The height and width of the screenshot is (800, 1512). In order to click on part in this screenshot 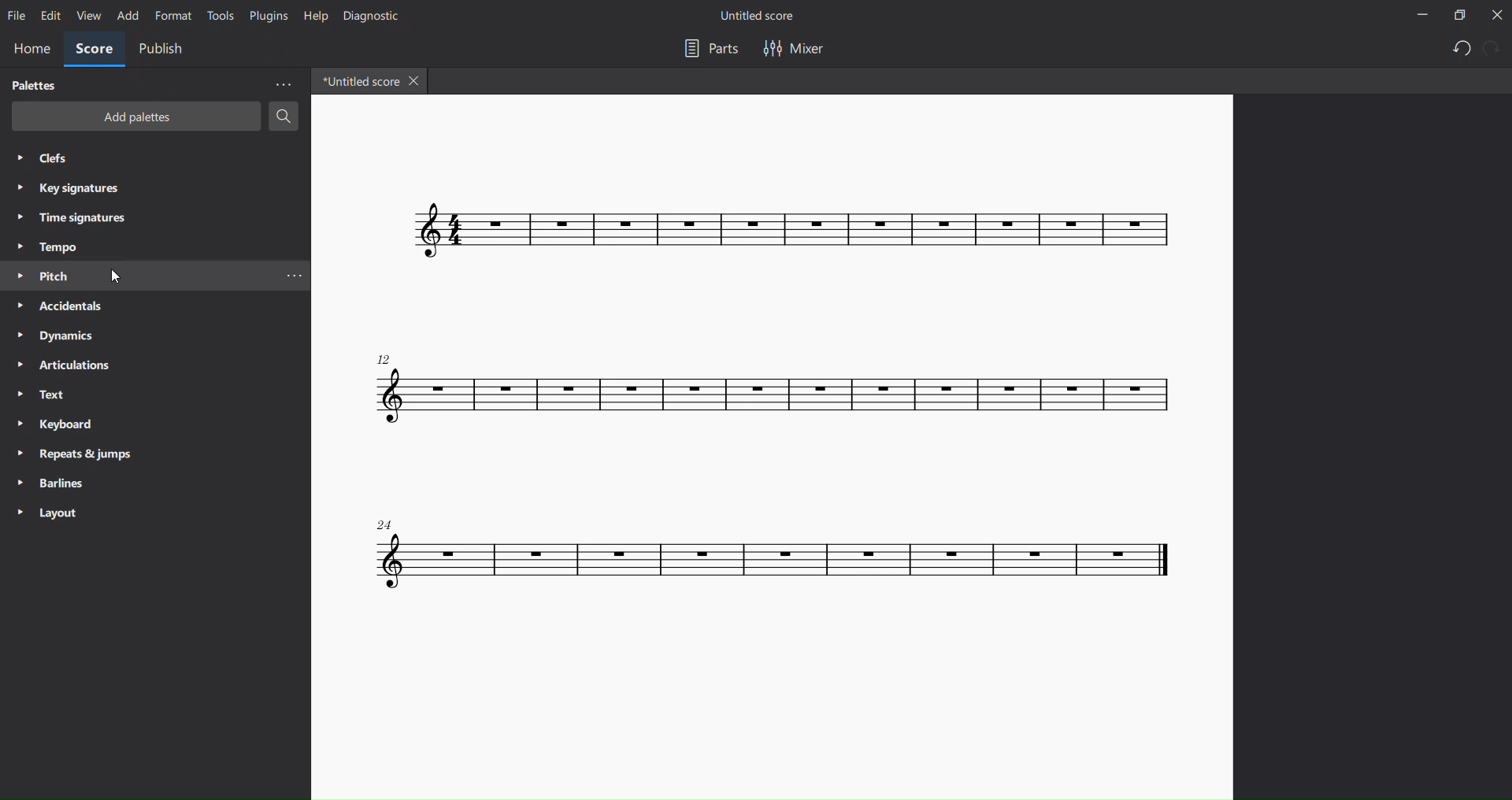, I will do `click(710, 52)`.